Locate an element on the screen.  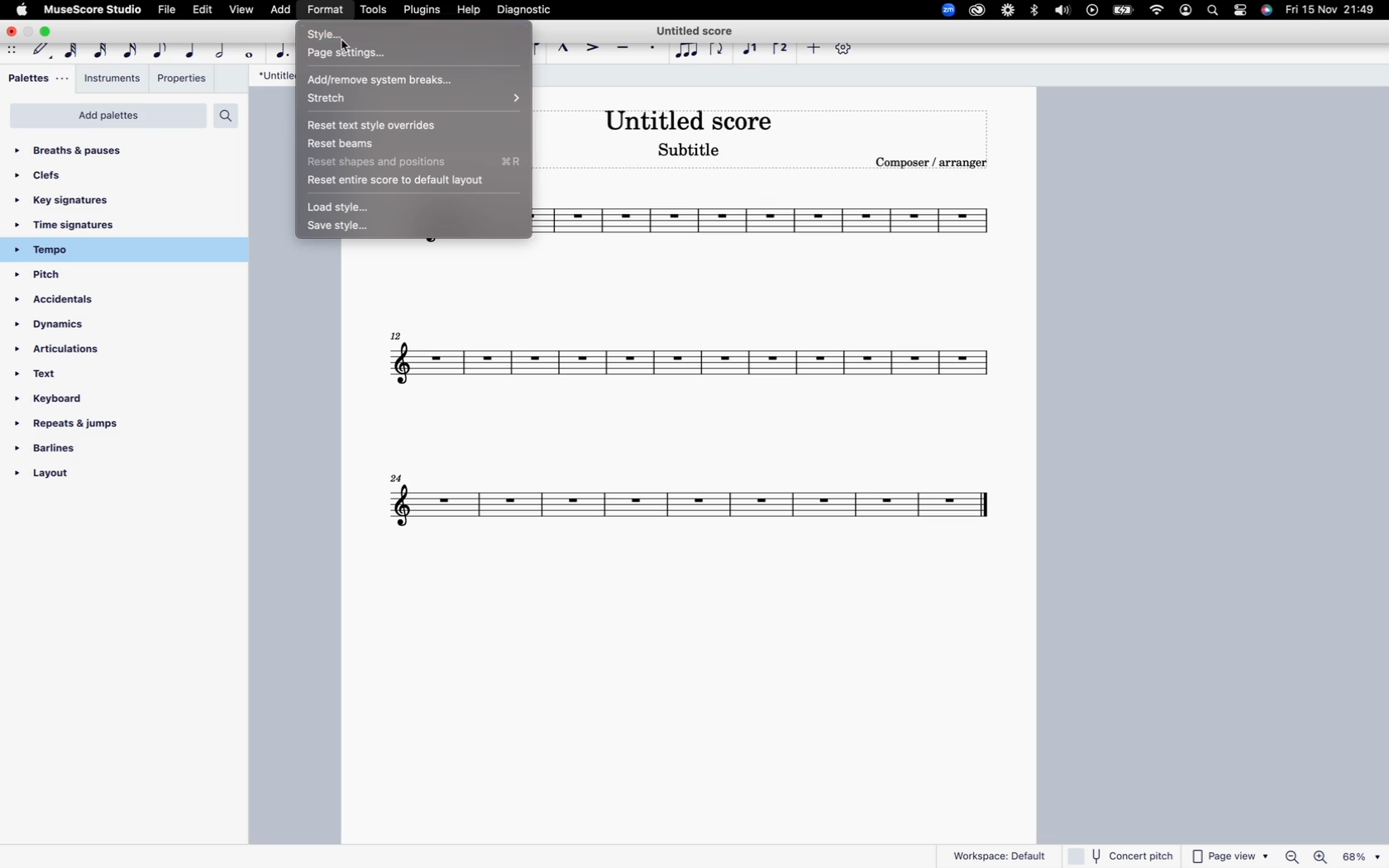
layout is located at coordinates (79, 478).